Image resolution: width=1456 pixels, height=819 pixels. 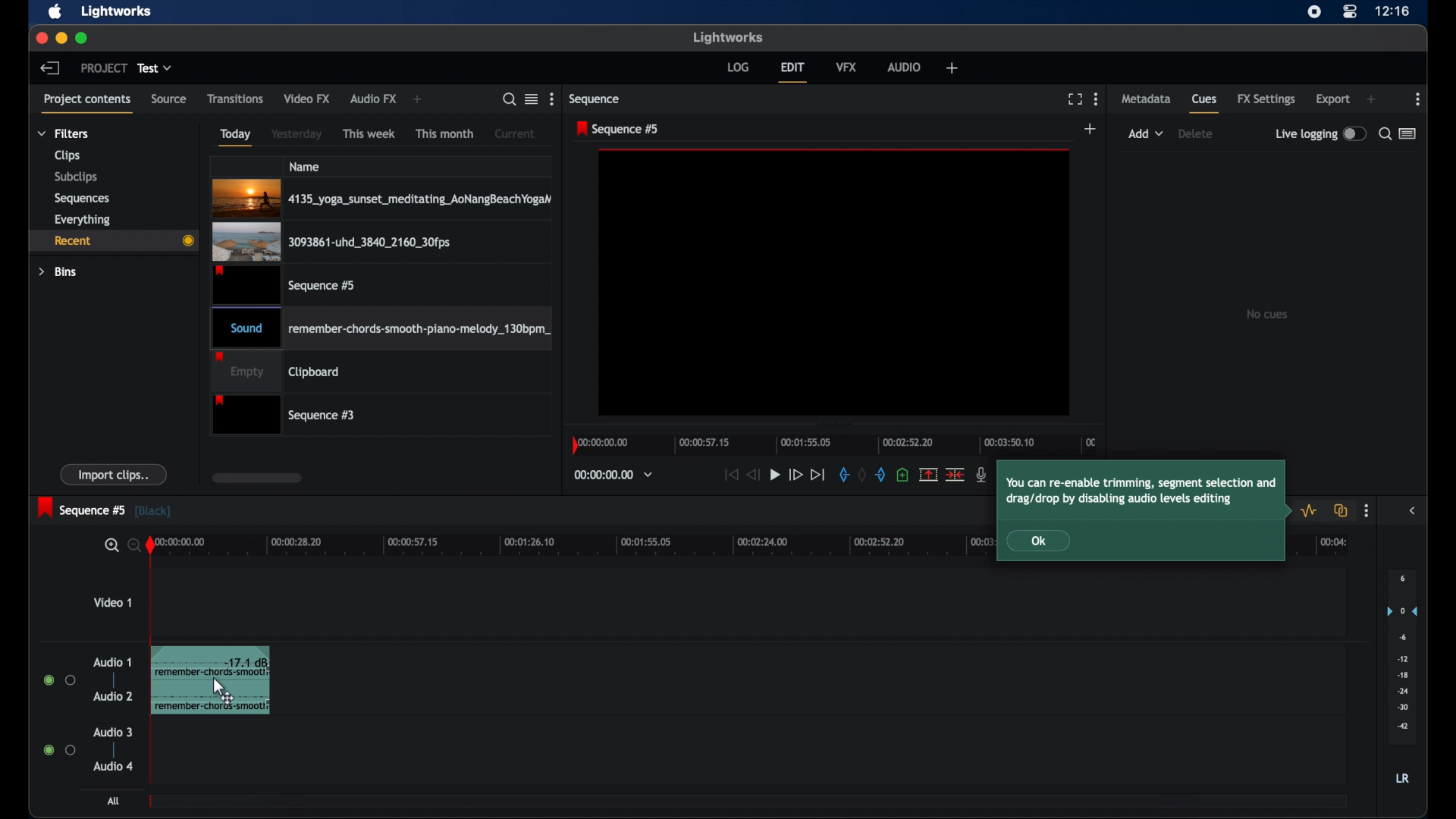 What do you see at coordinates (1409, 133) in the screenshot?
I see `toggle list or logger view` at bounding box center [1409, 133].